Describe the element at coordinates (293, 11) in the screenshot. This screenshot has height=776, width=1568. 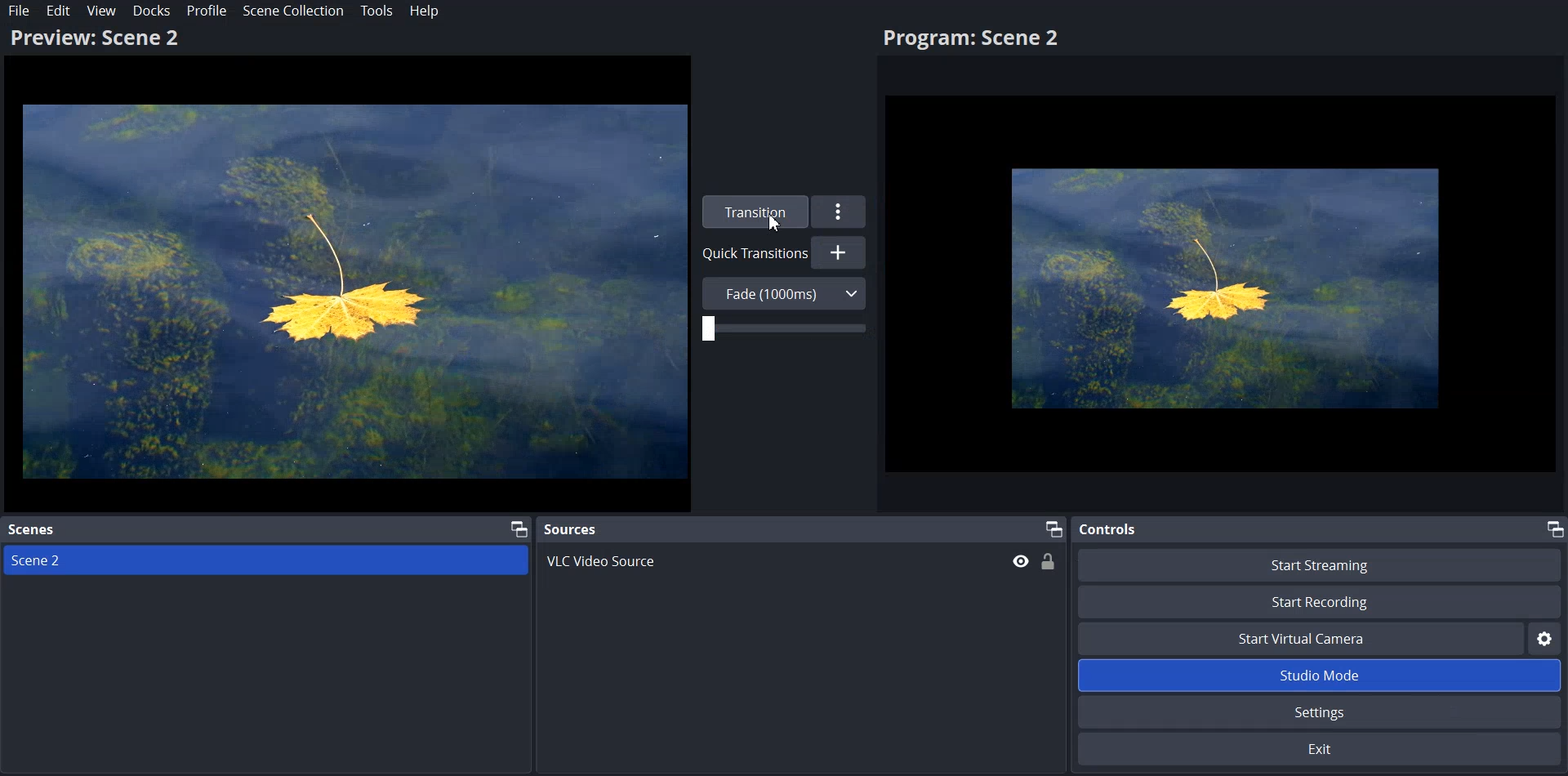
I see `Scene Collection` at that location.